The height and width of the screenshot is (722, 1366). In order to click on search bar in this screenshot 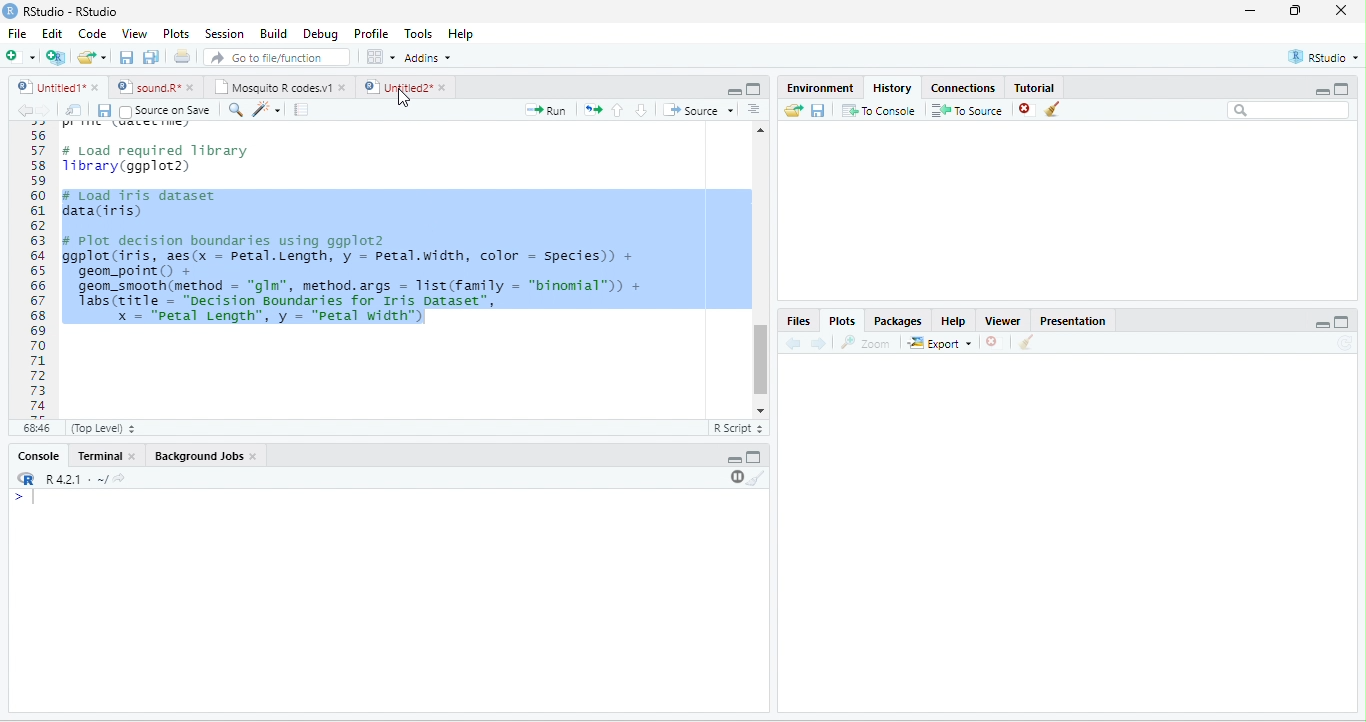, I will do `click(1289, 109)`.